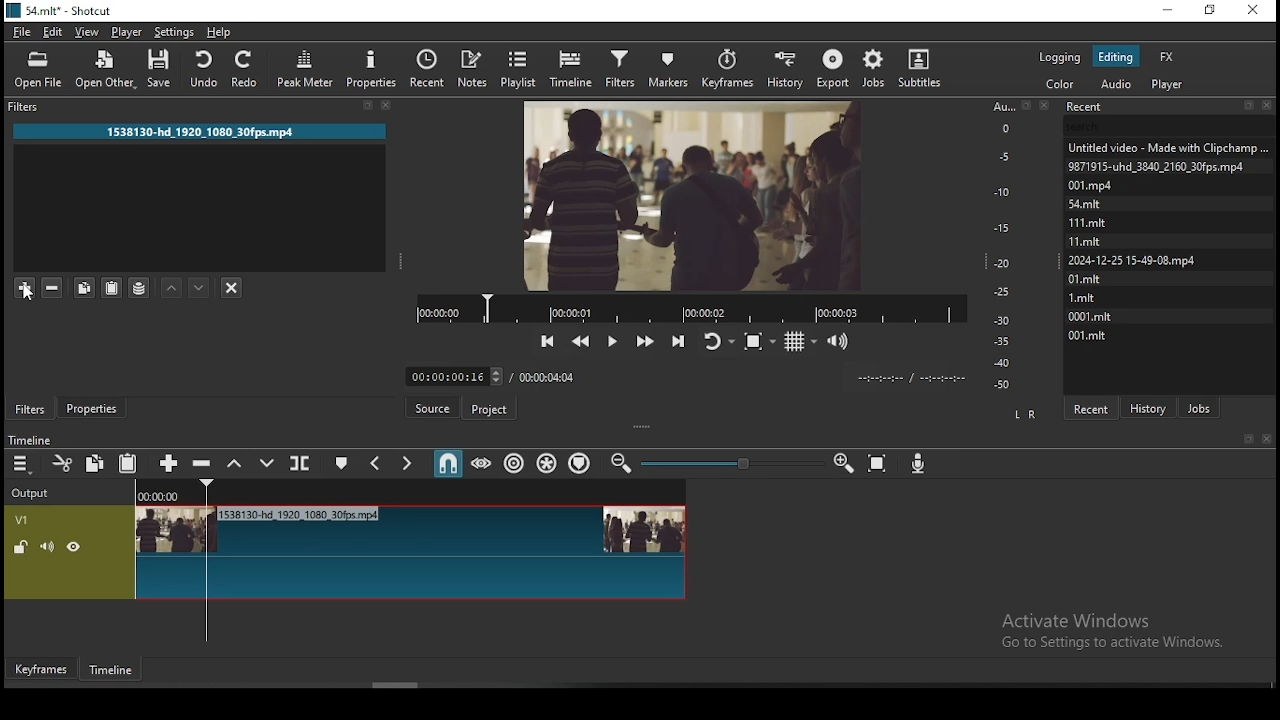 The width and height of the screenshot is (1280, 720). What do you see at coordinates (85, 288) in the screenshot?
I see `copy checked filters` at bounding box center [85, 288].